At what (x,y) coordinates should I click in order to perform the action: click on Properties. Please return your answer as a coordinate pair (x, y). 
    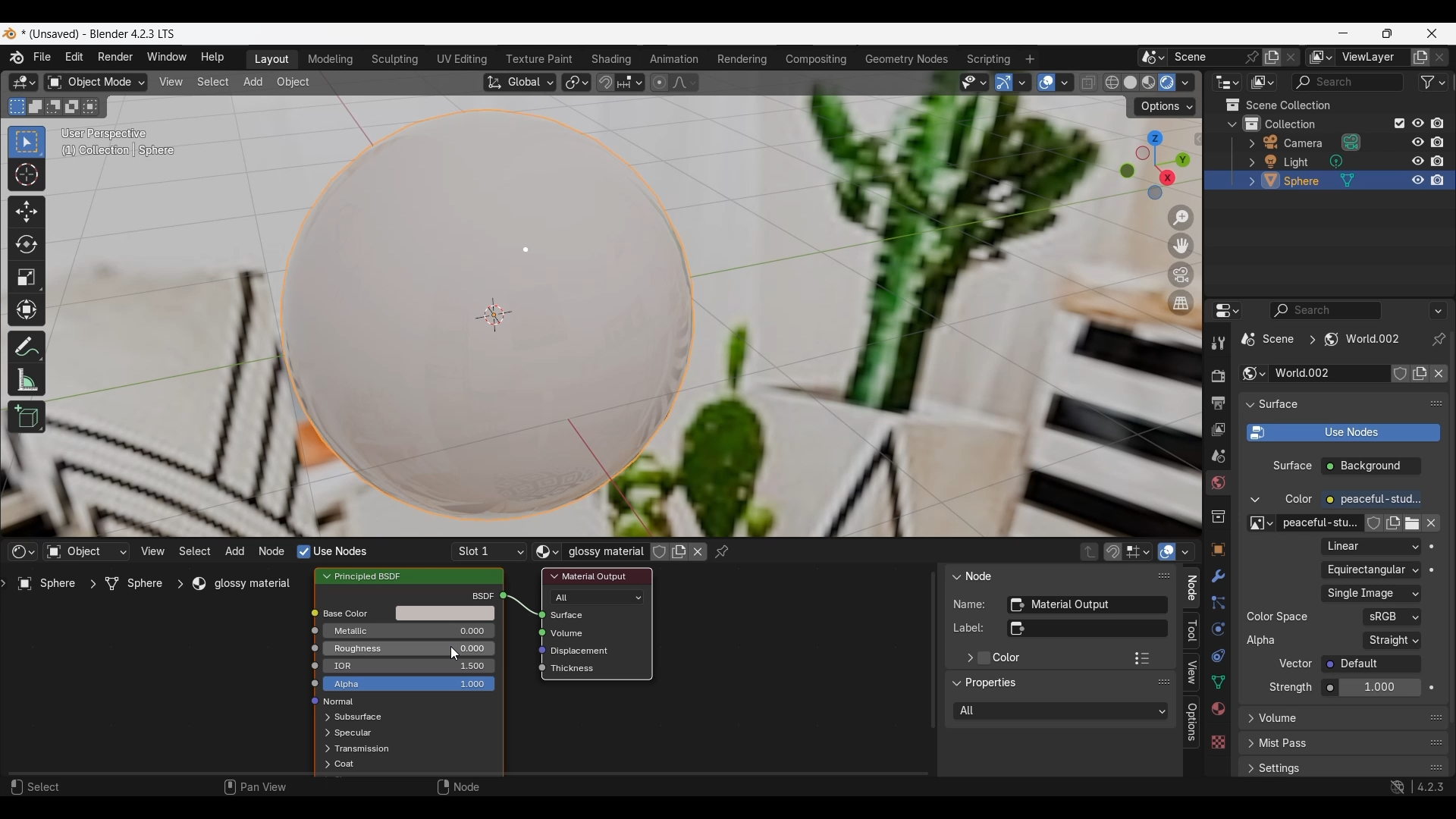
    Looking at the image, I should click on (992, 684).